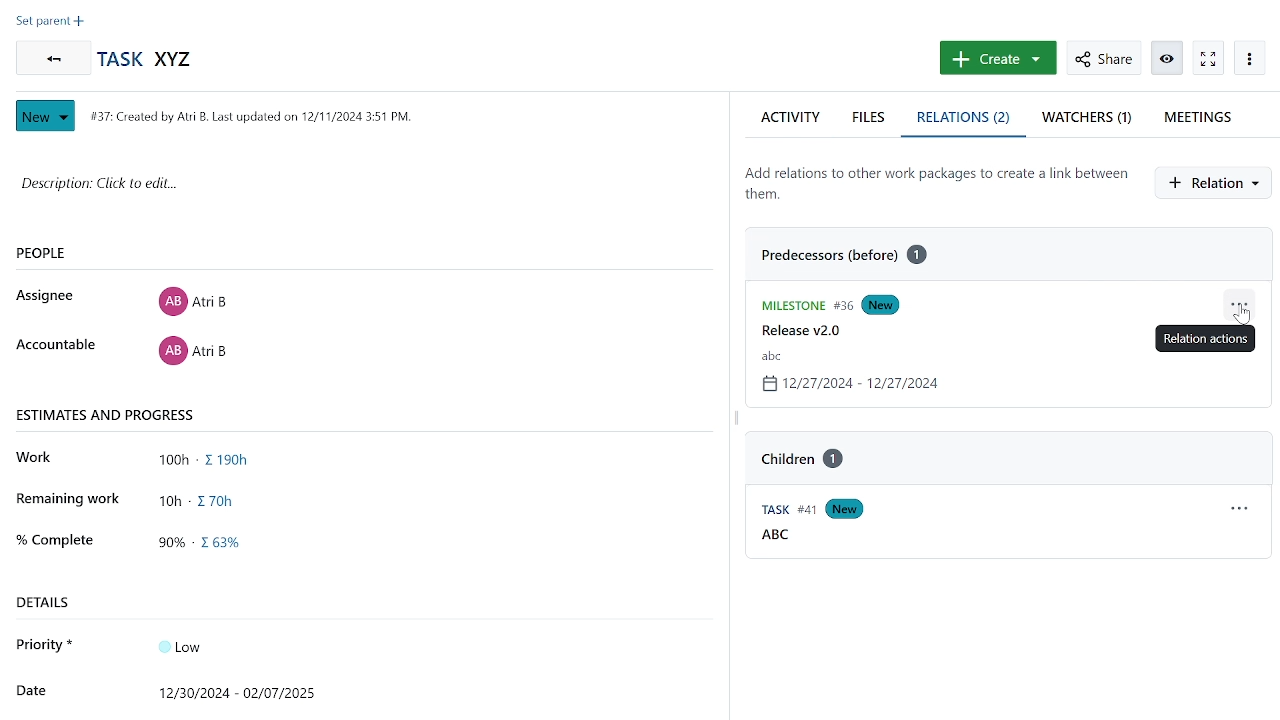 The image size is (1280, 720). Describe the element at coordinates (55, 346) in the screenshot. I see `accountable` at that location.